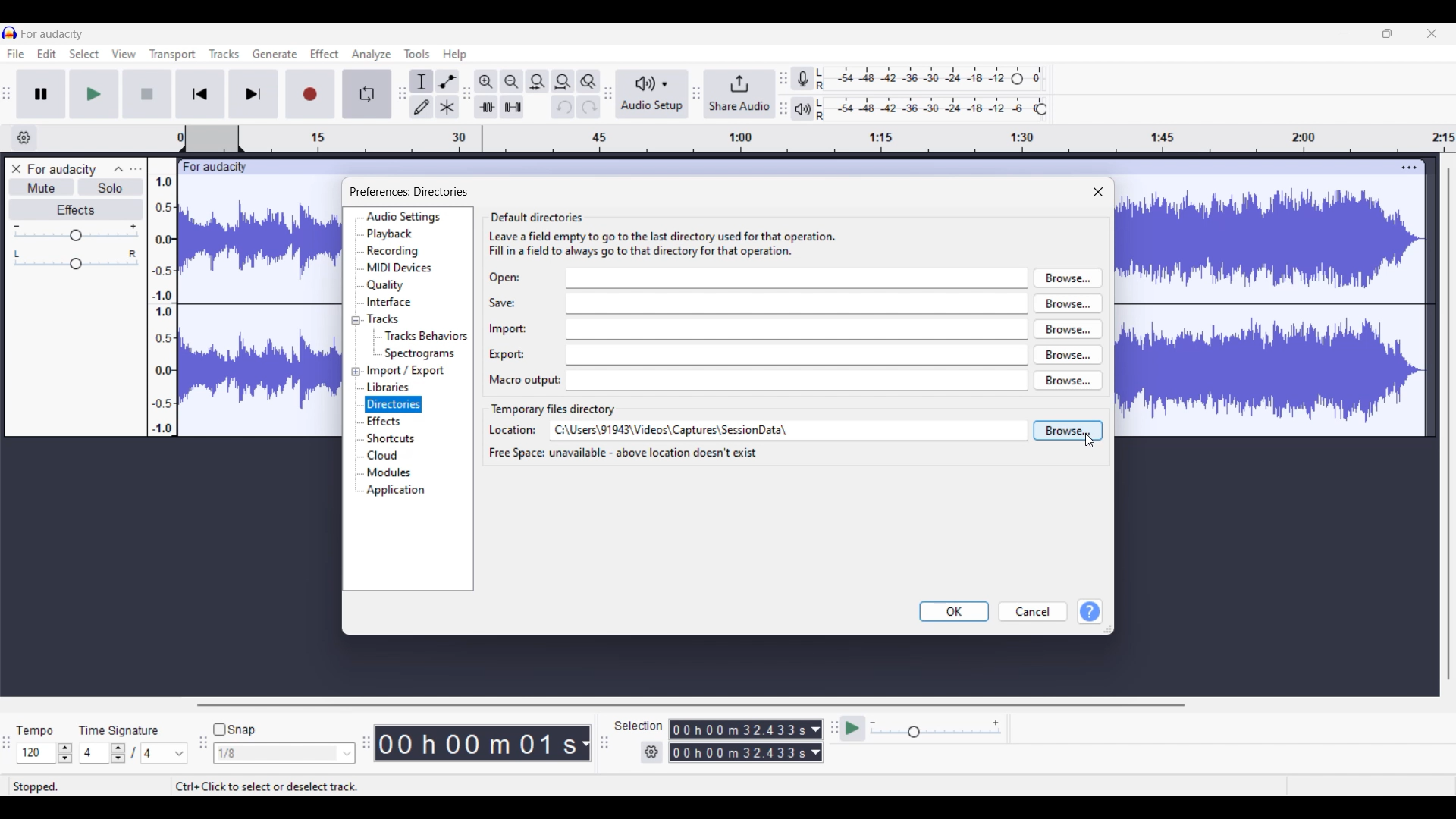 This screenshot has width=1456, height=819. Describe the element at coordinates (173, 55) in the screenshot. I see `Transport menu` at that location.